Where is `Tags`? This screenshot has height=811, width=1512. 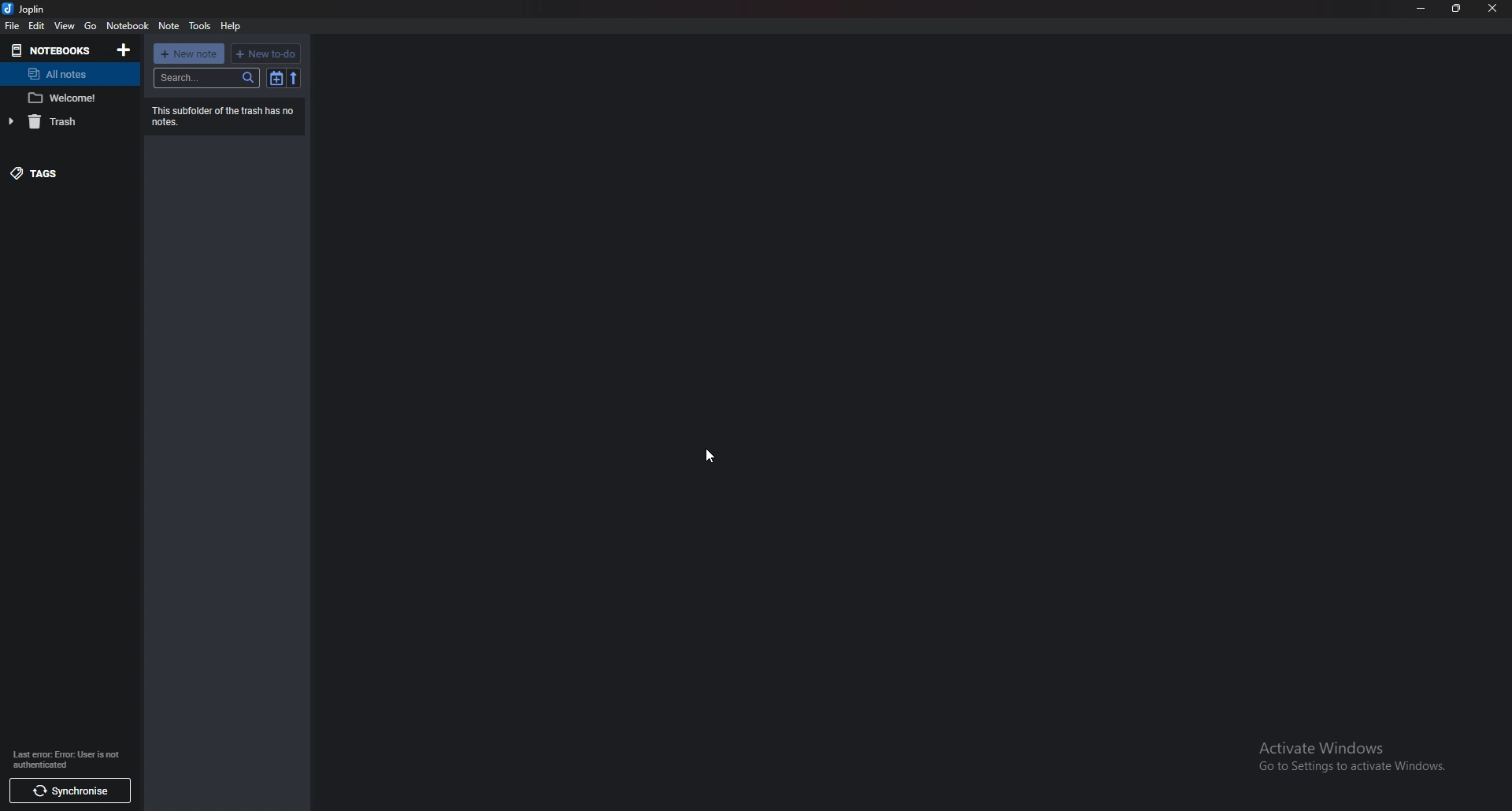
Tags is located at coordinates (63, 170).